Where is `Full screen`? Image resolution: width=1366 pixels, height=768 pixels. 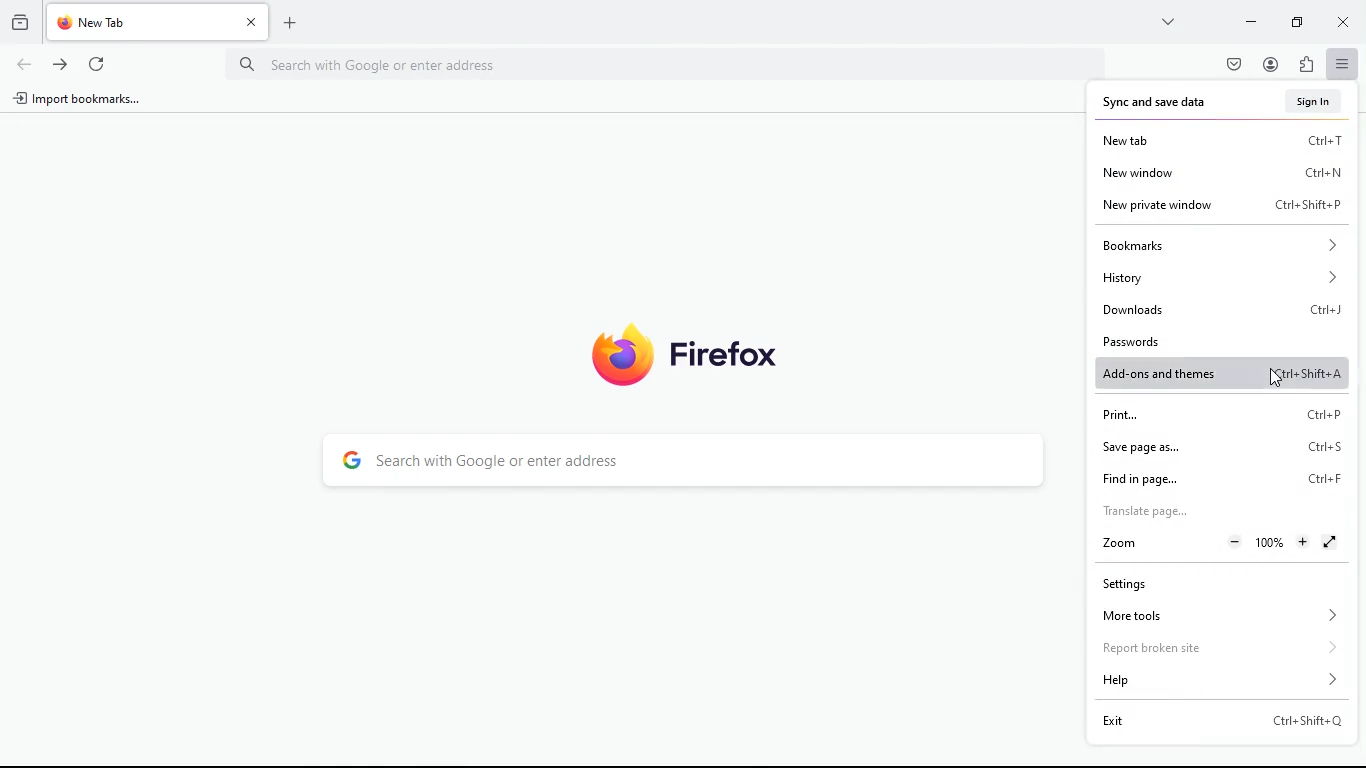
Full screen is located at coordinates (1331, 542).